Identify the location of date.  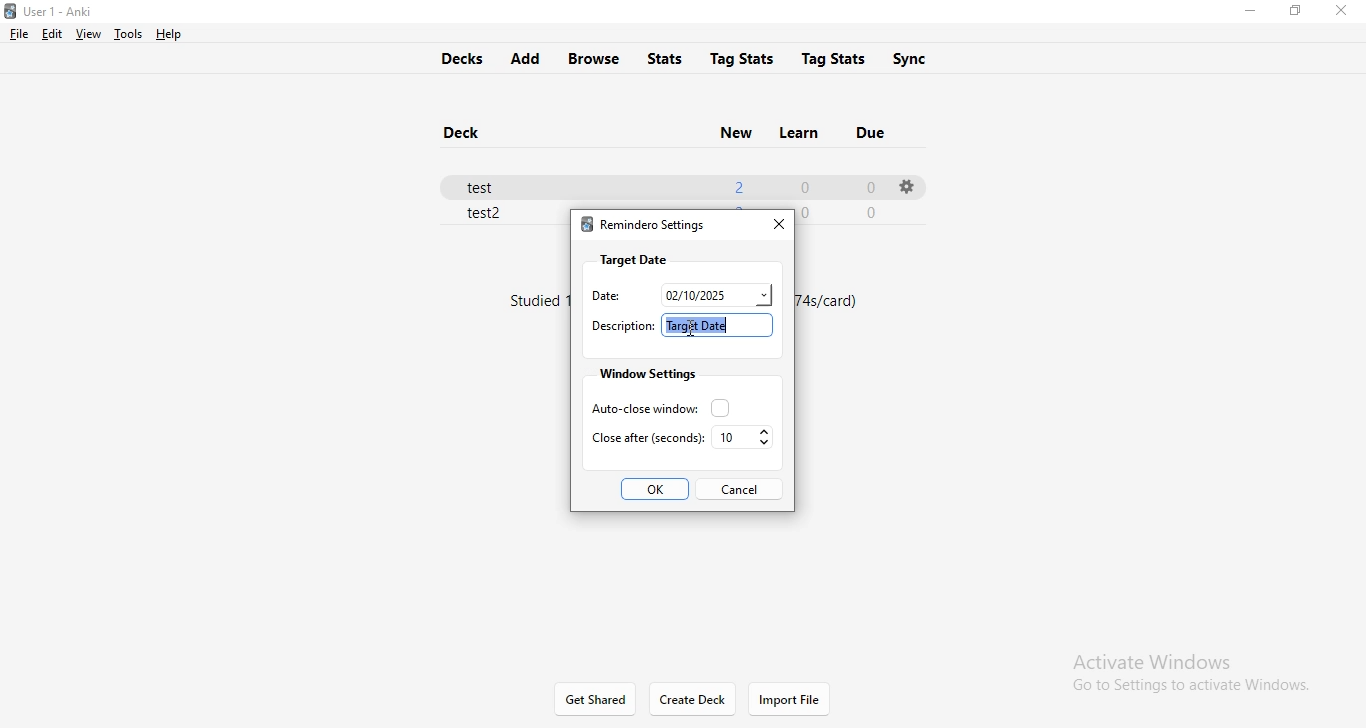
(716, 293).